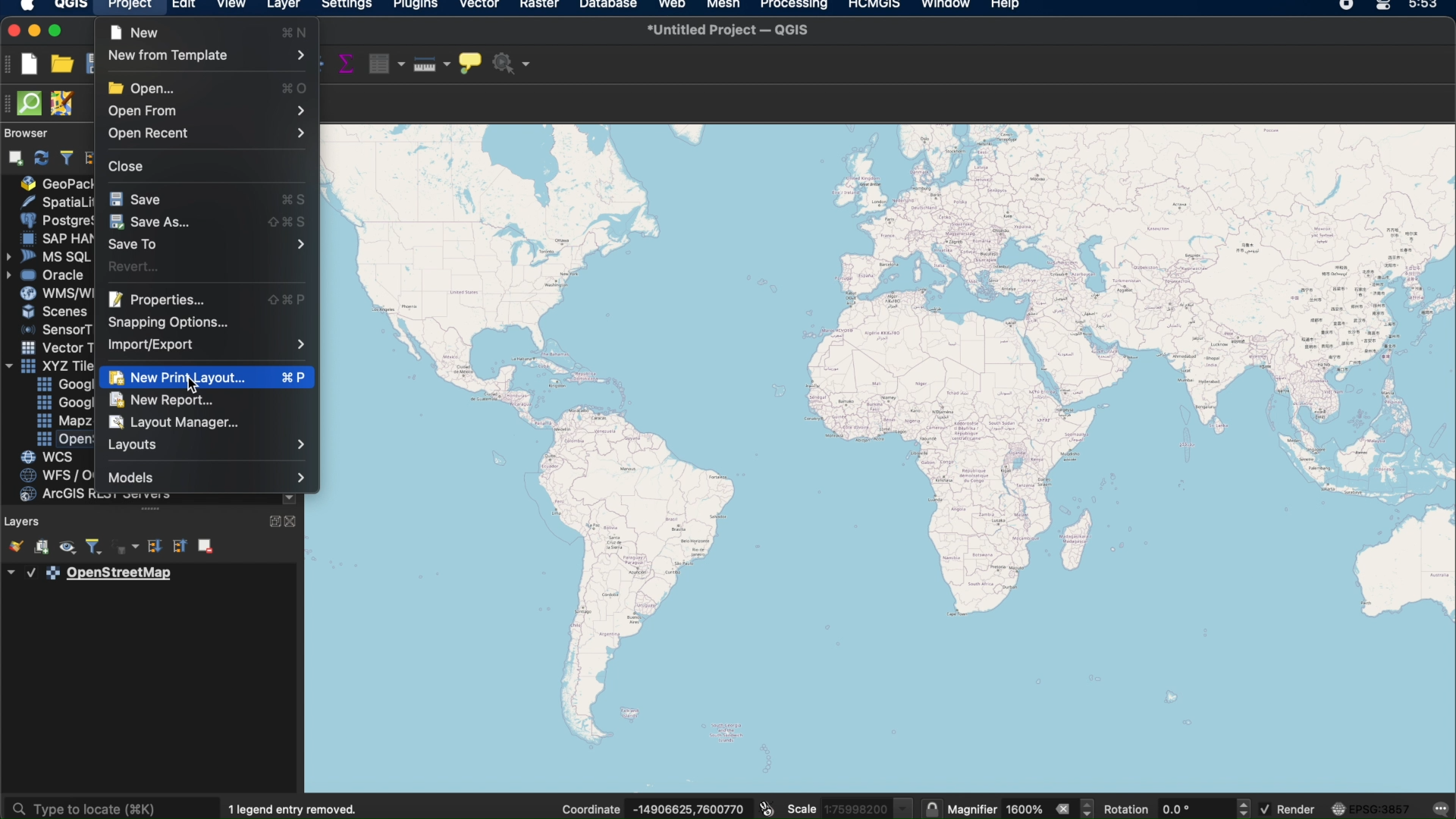  Describe the element at coordinates (27, 6) in the screenshot. I see `apple logo` at that location.